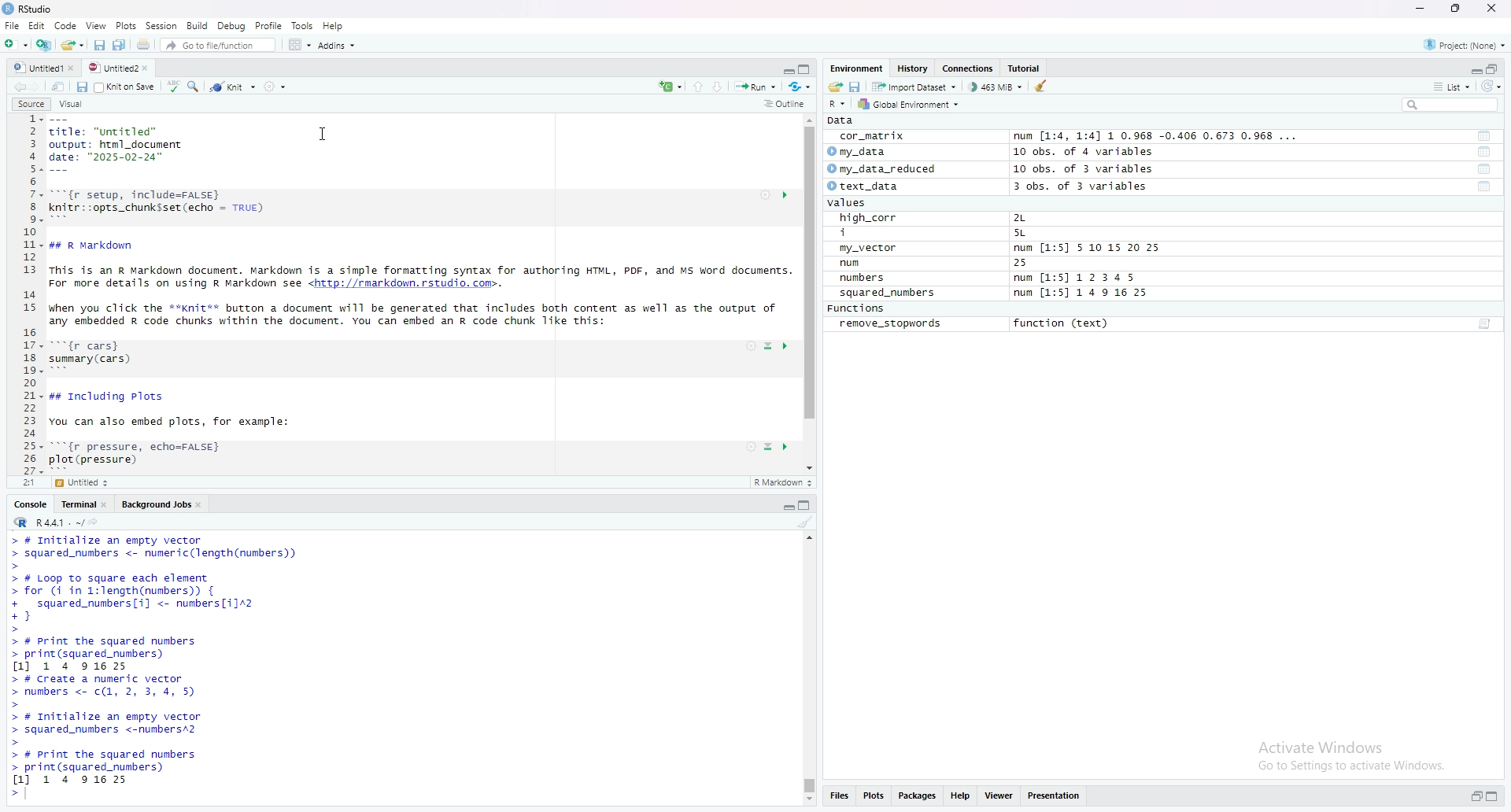 This screenshot has height=812, width=1511. Describe the element at coordinates (1496, 67) in the screenshot. I see `maximzie` at that location.